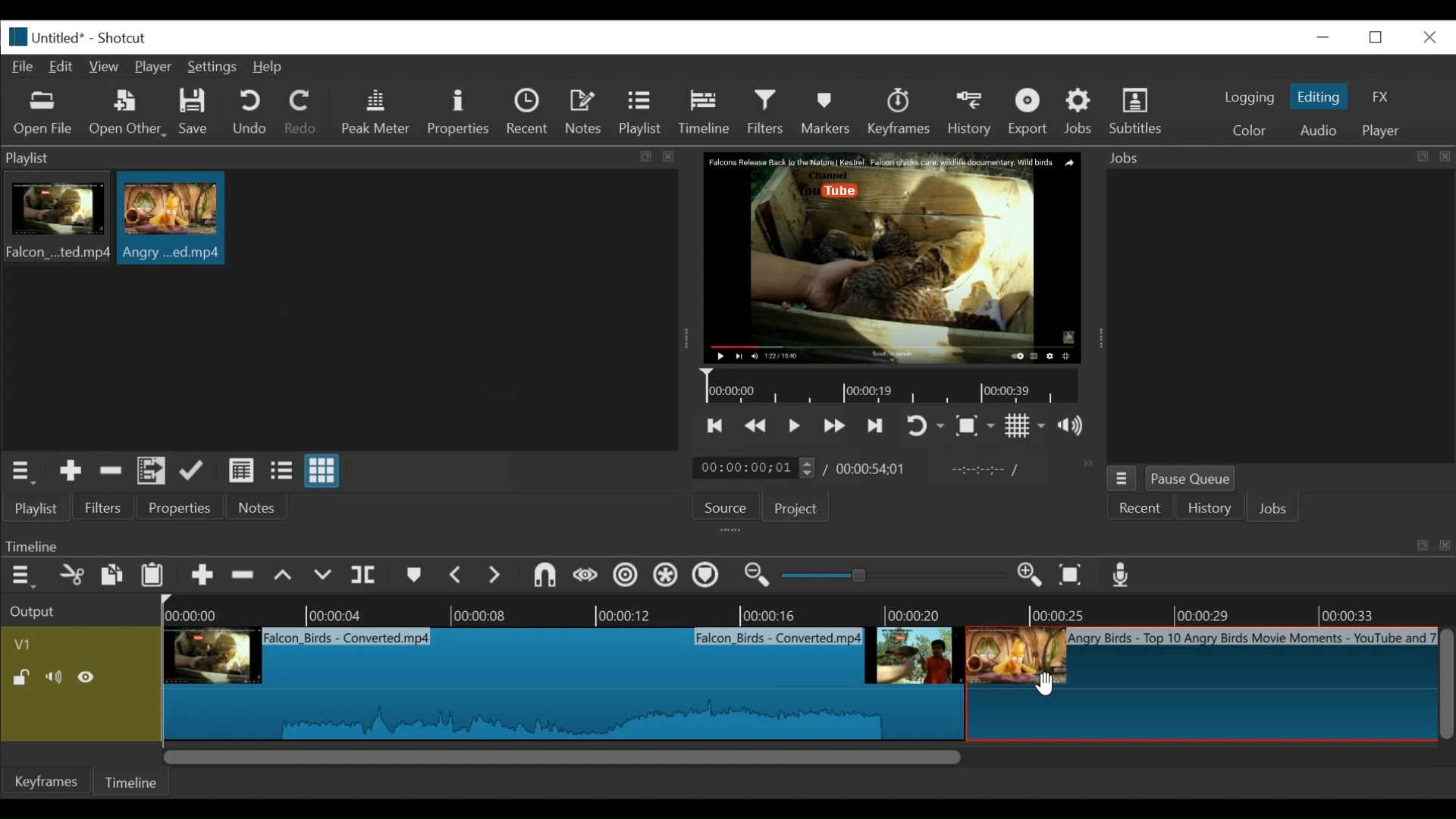  Describe the element at coordinates (793, 510) in the screenshot. I see `Project` at that location.